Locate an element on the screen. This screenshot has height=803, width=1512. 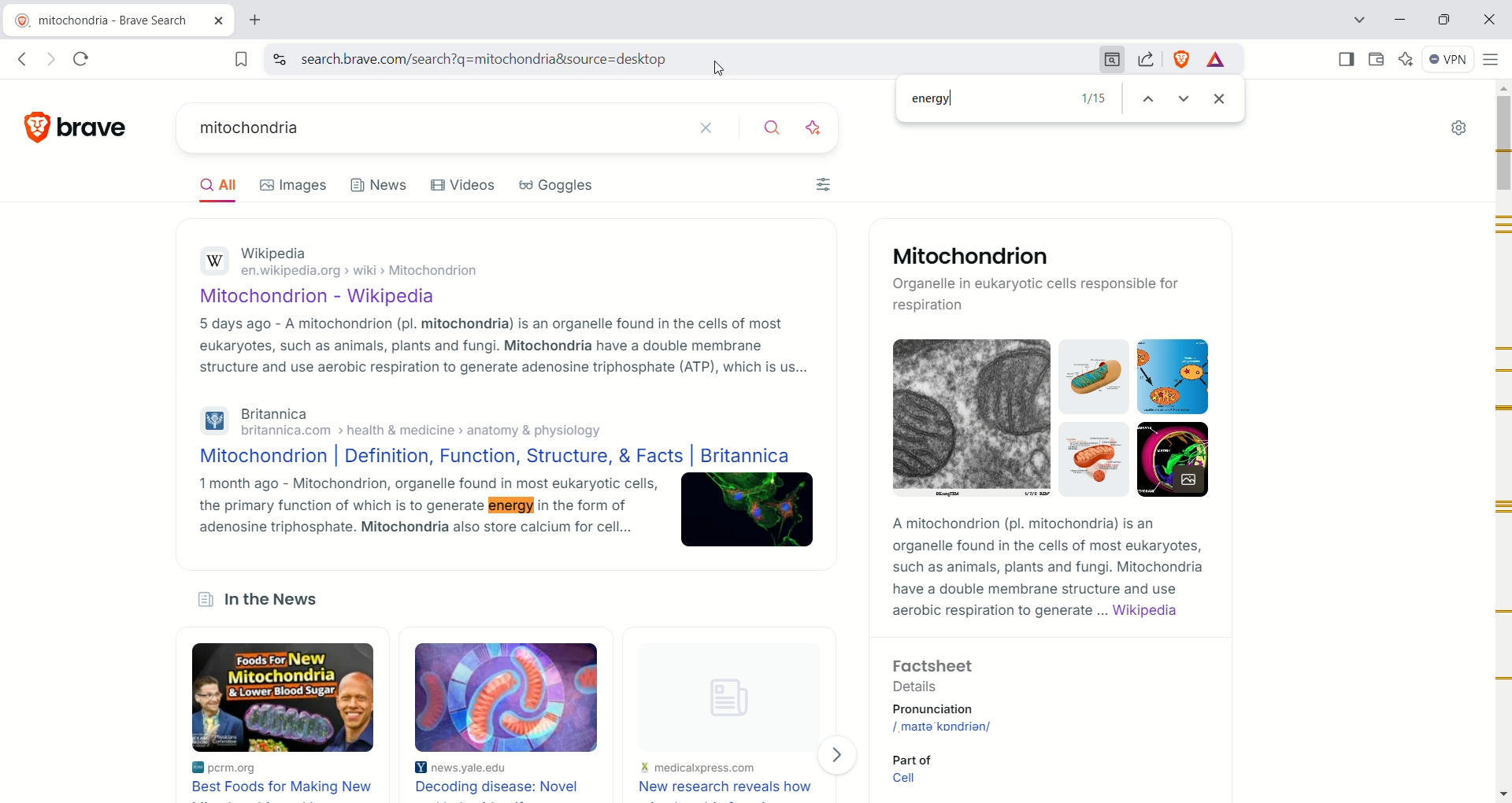
aerobic respiration to generate ... is located at coordinates (1001, 612).